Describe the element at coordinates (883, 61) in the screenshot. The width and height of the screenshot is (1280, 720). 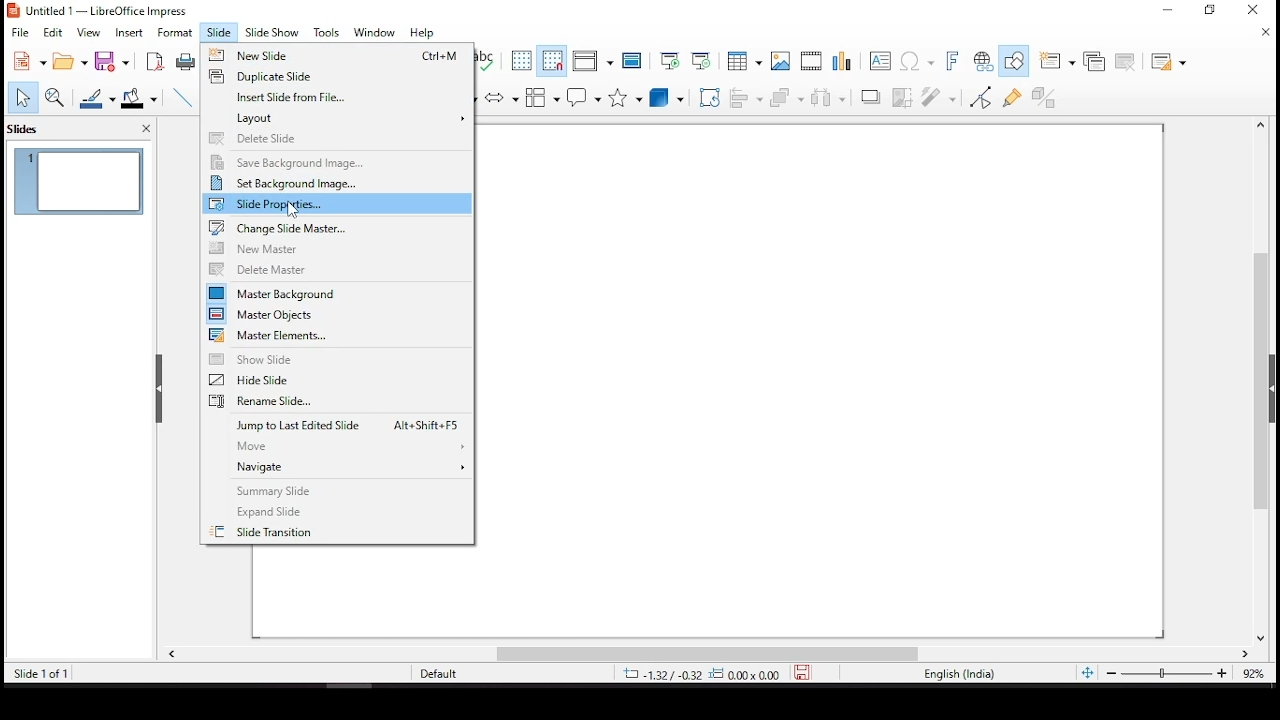
I see `text box` at that location.